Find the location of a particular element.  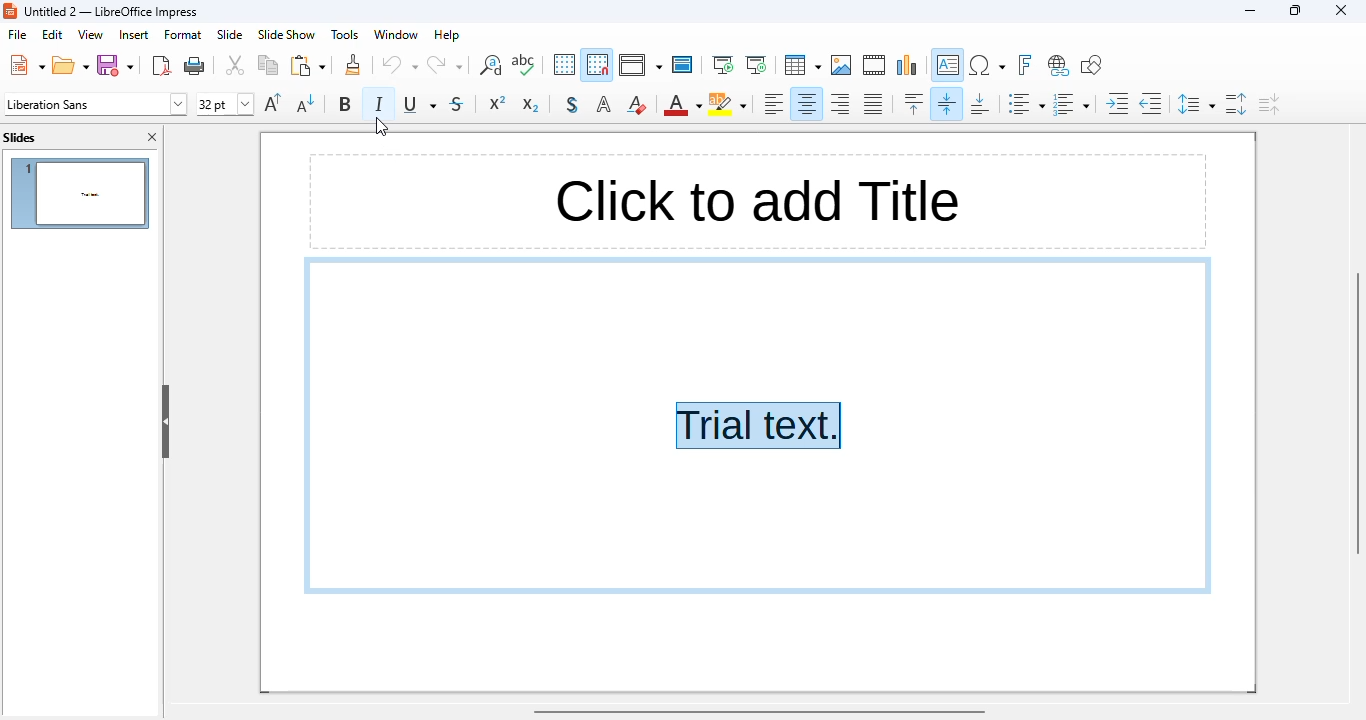

undo is located at coordinates (400, 65).